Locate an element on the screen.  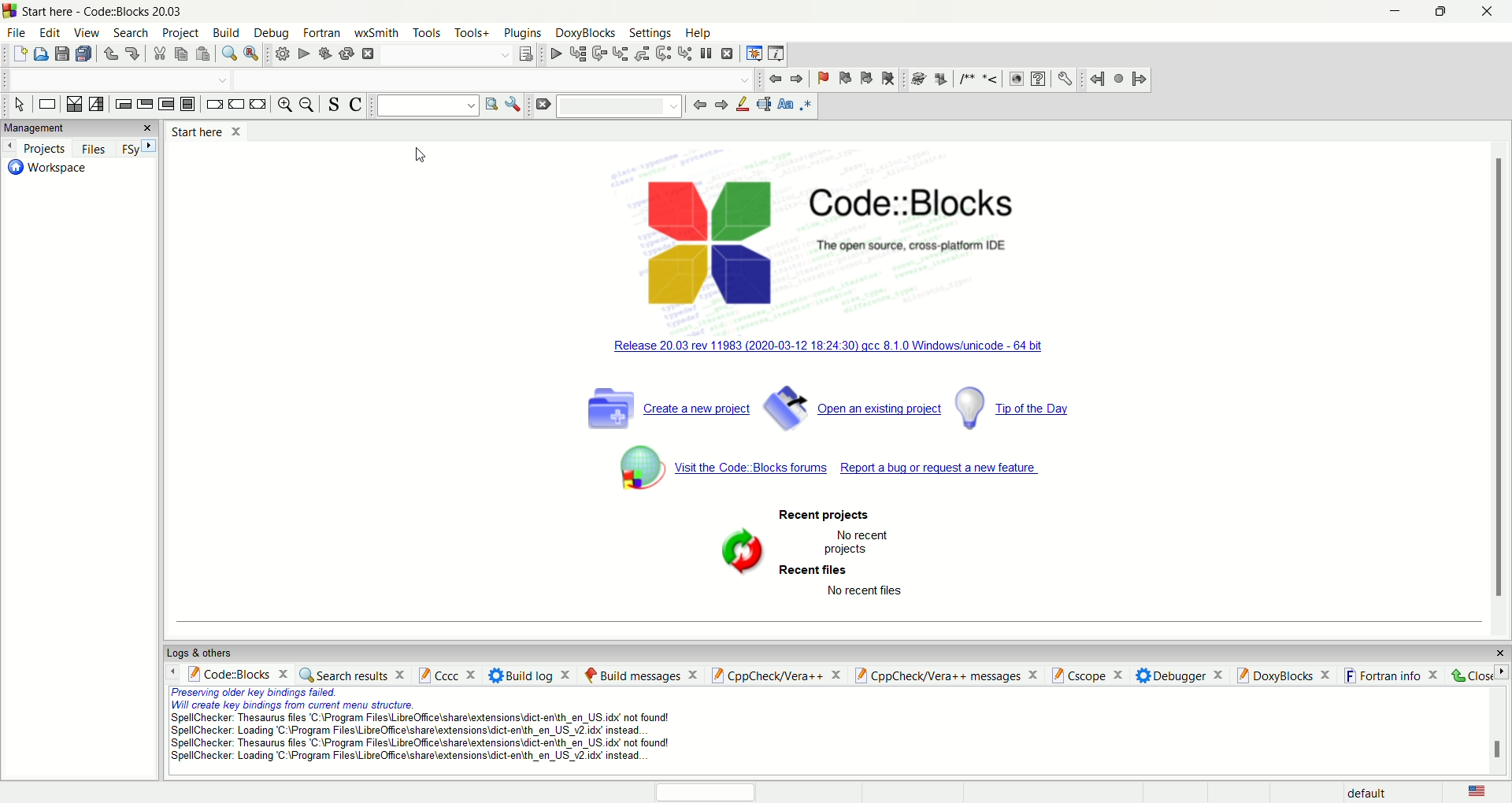
run is located at coordinates (302, 56).